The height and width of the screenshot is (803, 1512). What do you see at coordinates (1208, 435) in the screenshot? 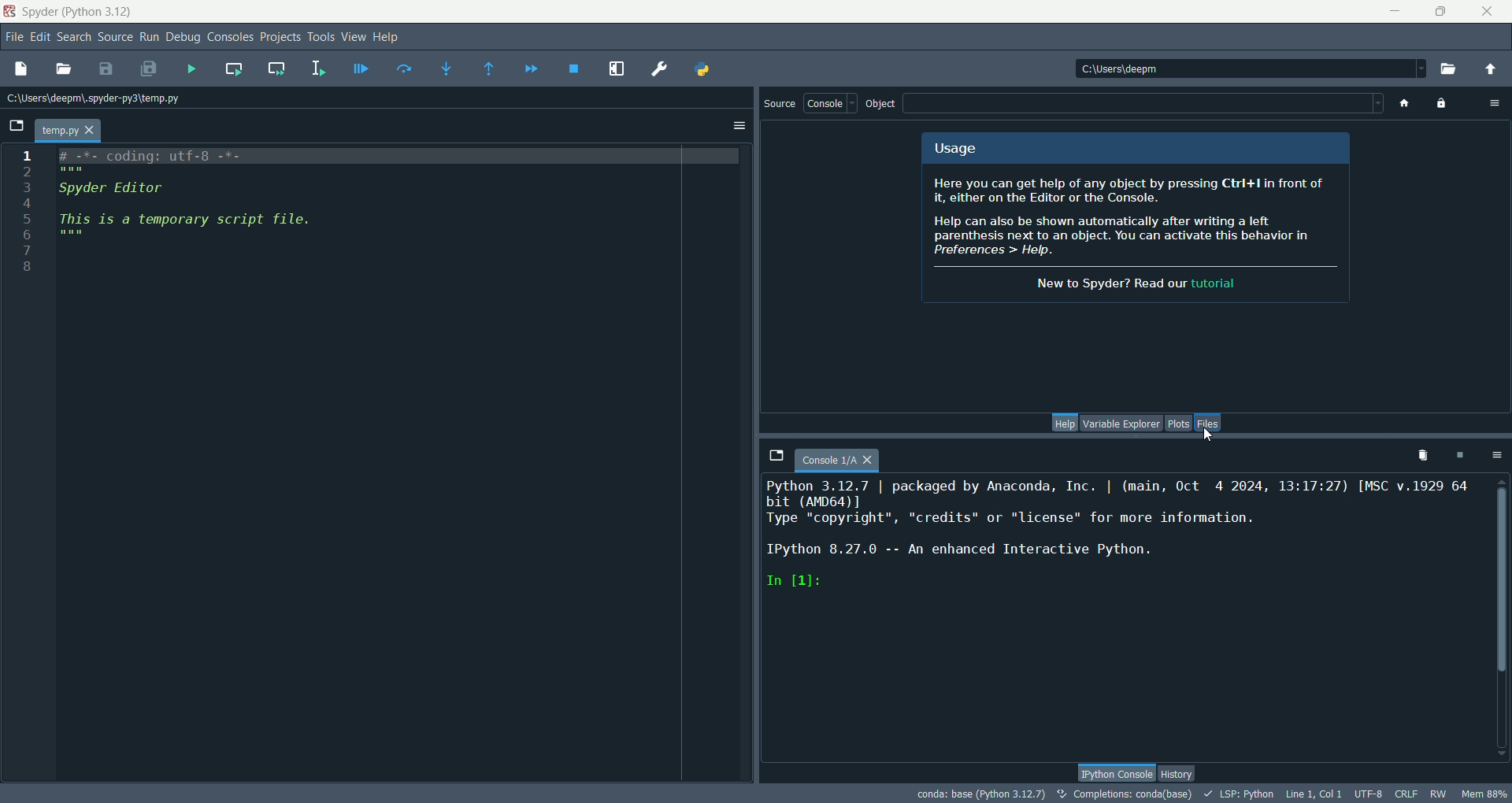
I see `cursor` at bounding box center [1208, 435].